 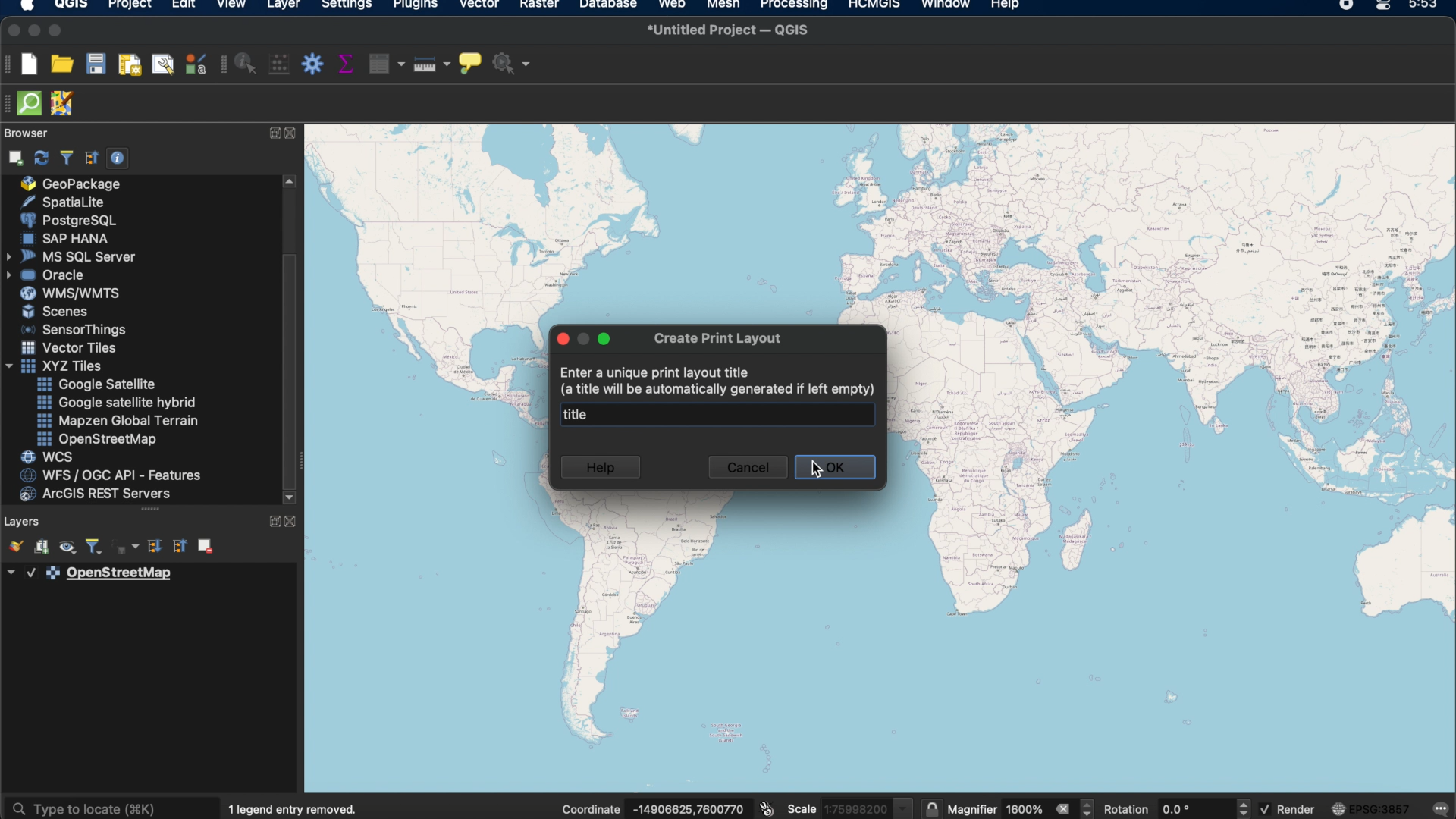 What do you see at coordinates (290, 497) in the screenshot?
I see `scroll down arrow` at bounding box center [290, 497].